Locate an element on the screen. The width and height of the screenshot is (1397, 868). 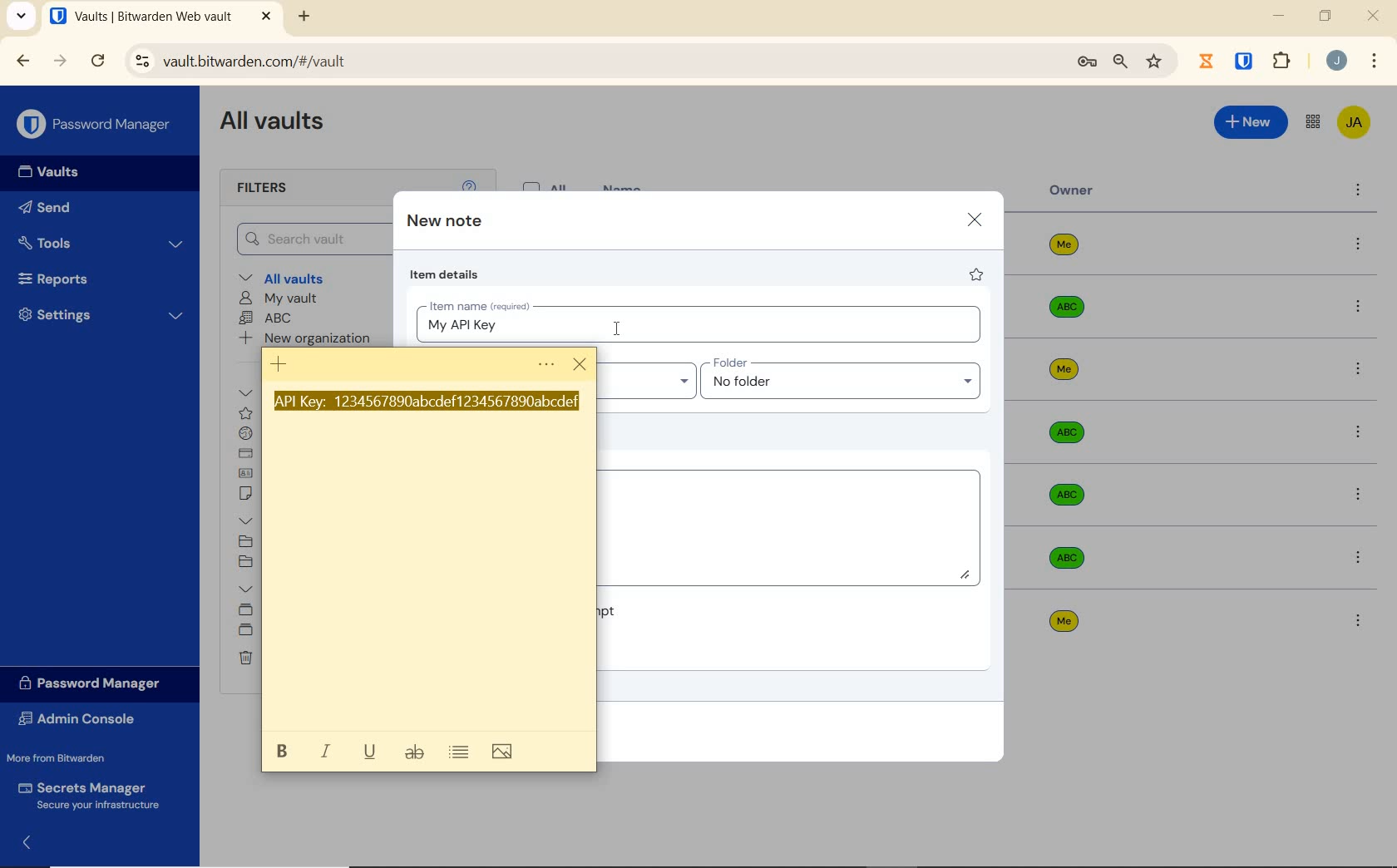
RESTORE is located at coordinates (1325, 18).